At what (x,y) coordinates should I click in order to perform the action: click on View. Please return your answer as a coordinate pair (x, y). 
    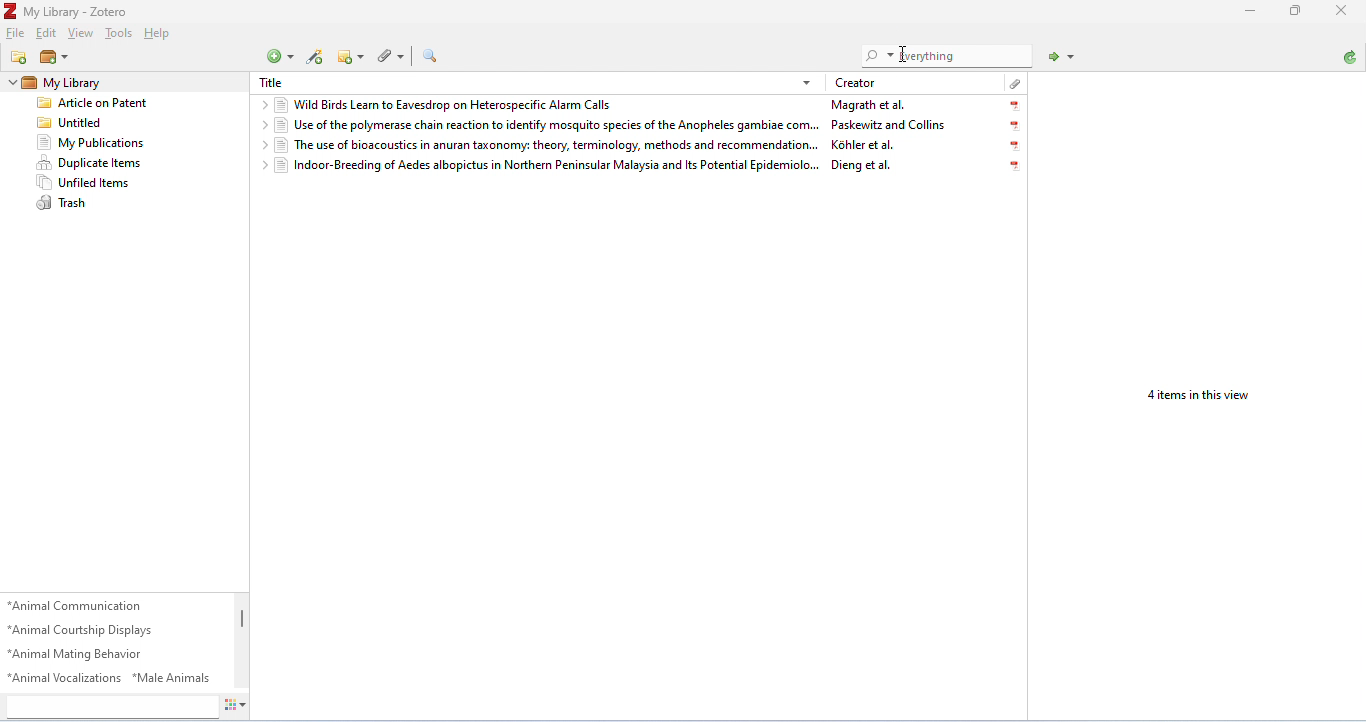
    Looking at the image, I should click on (83, 32).